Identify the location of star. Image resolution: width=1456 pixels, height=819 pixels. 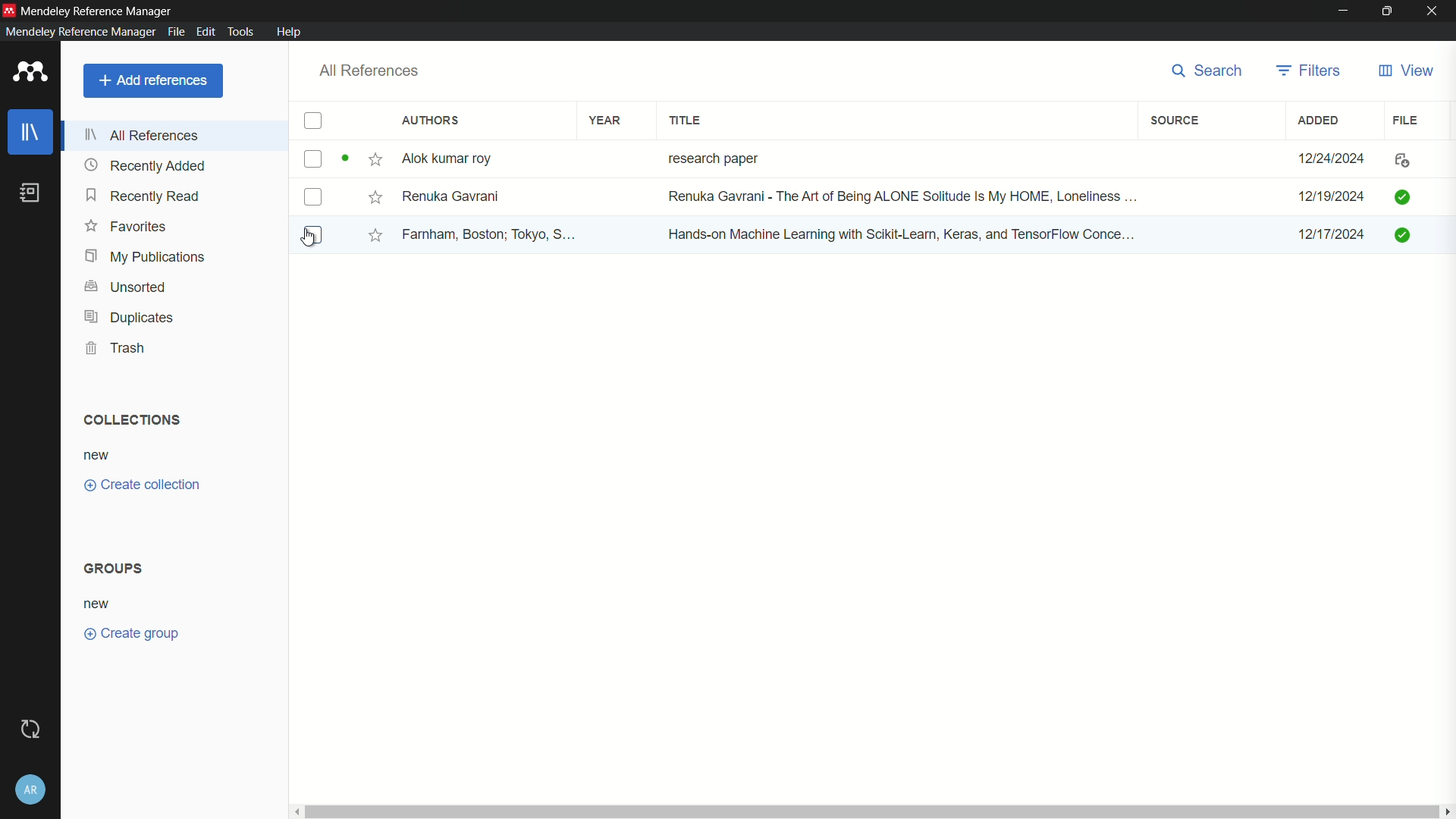
(375, 199).